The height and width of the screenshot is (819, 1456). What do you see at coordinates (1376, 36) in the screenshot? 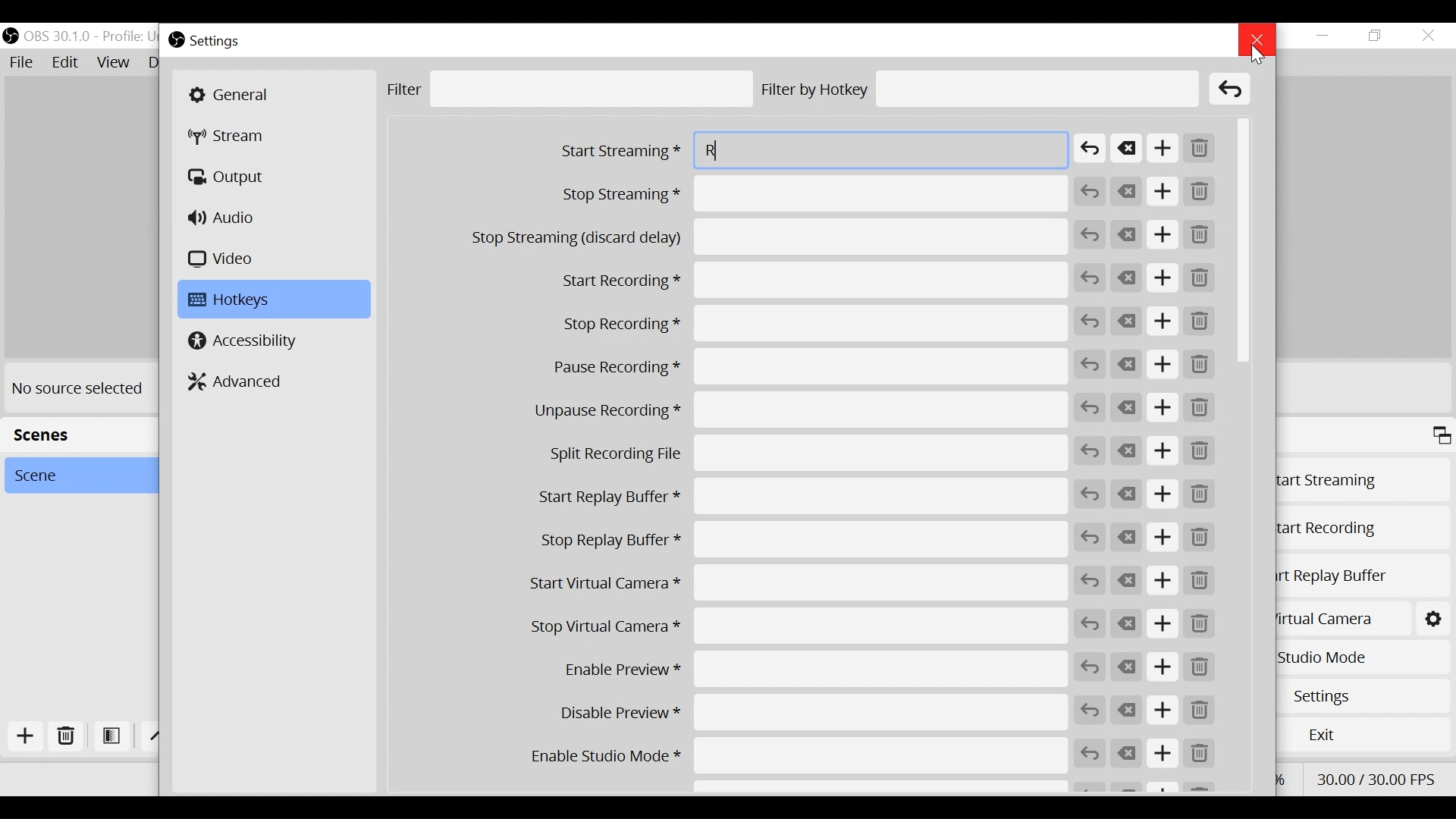
I see `Restore` at bounding box center [1376, 36].